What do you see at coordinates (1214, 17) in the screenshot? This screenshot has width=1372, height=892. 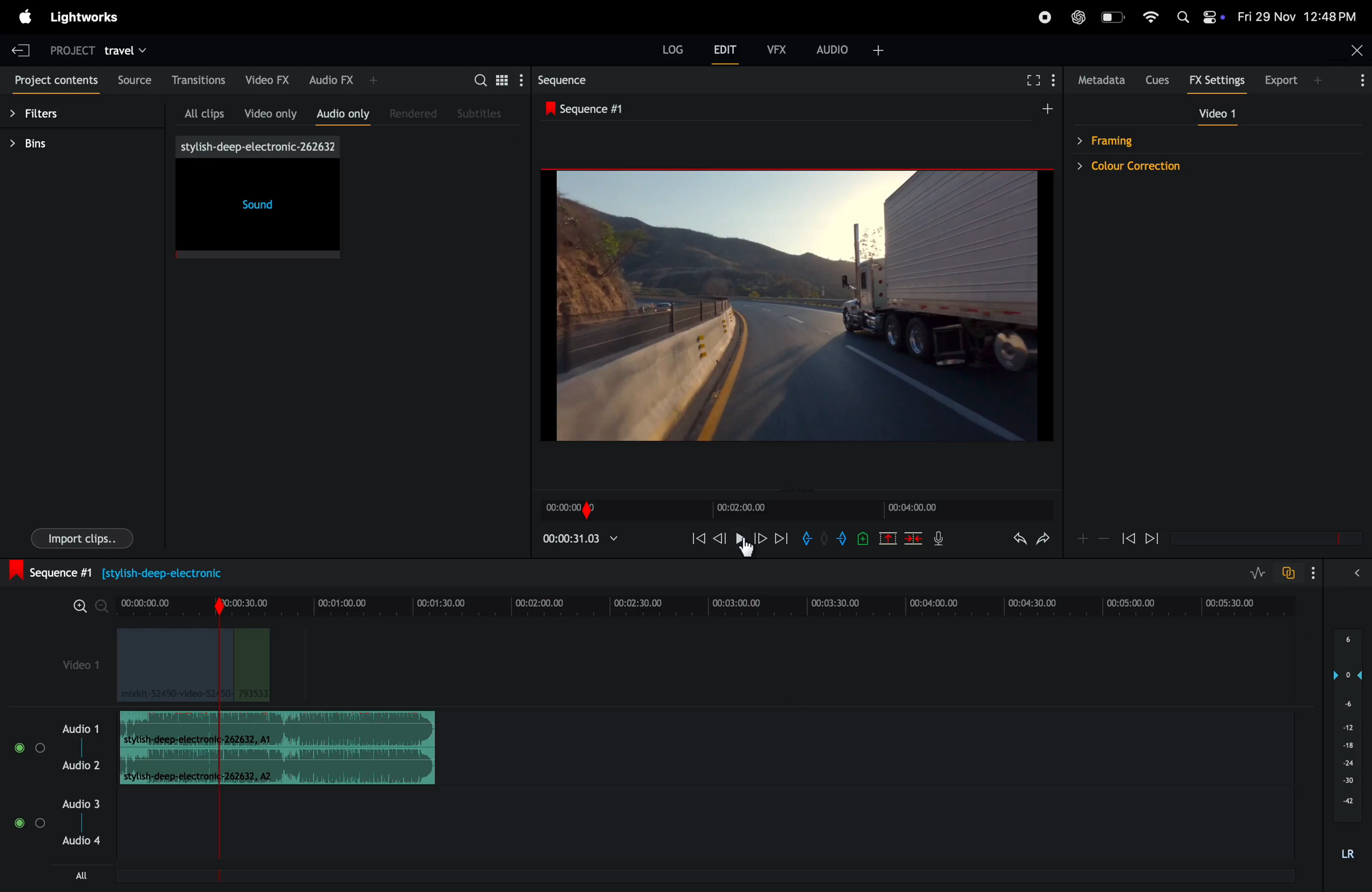 I see `control panel` at bounding box center [1214, 17].